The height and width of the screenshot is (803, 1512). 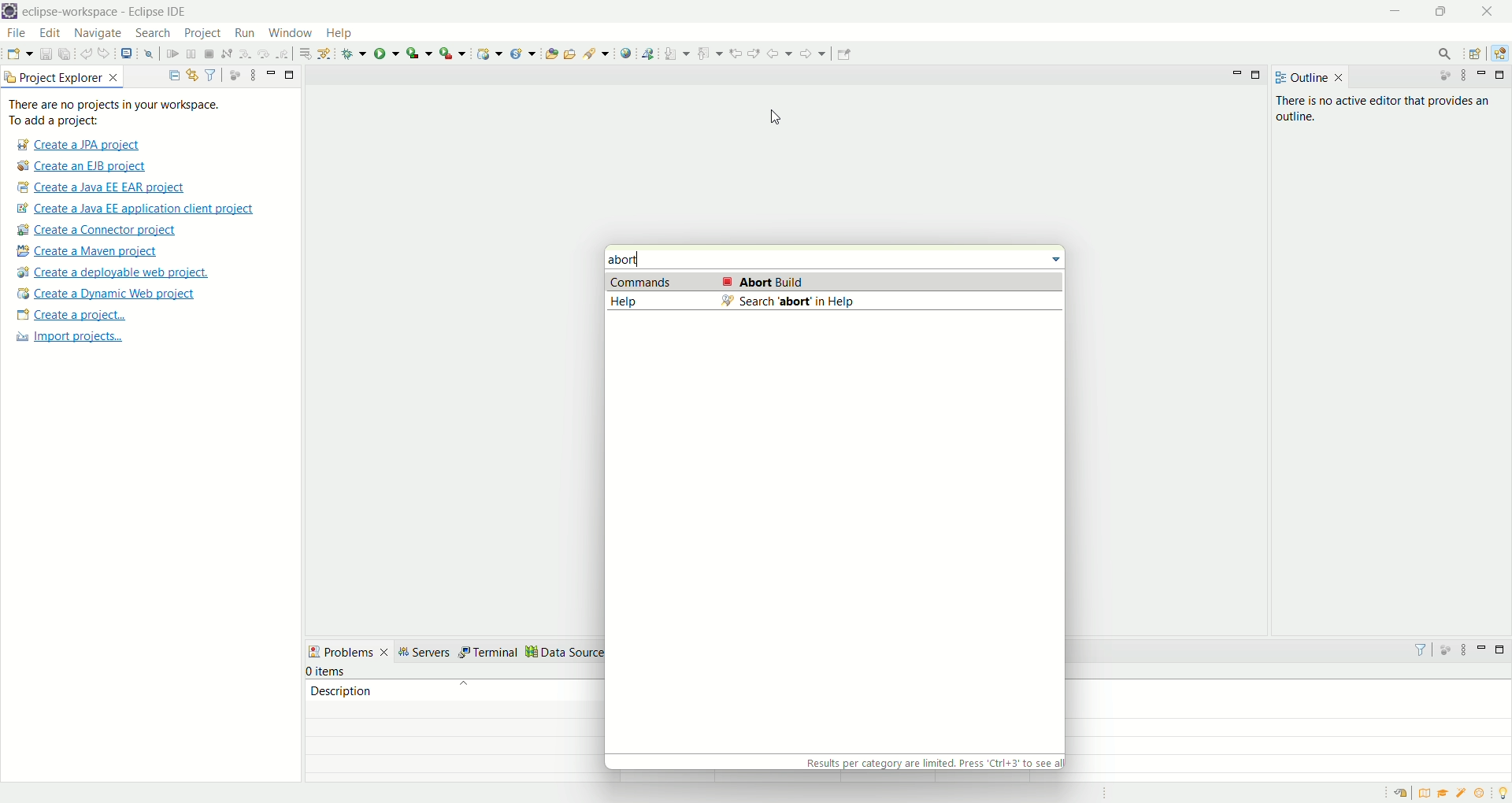 What do you see at coordinates (1424, 794) in the screenshot?
I see `overview` at bounding box center [1424, 794].